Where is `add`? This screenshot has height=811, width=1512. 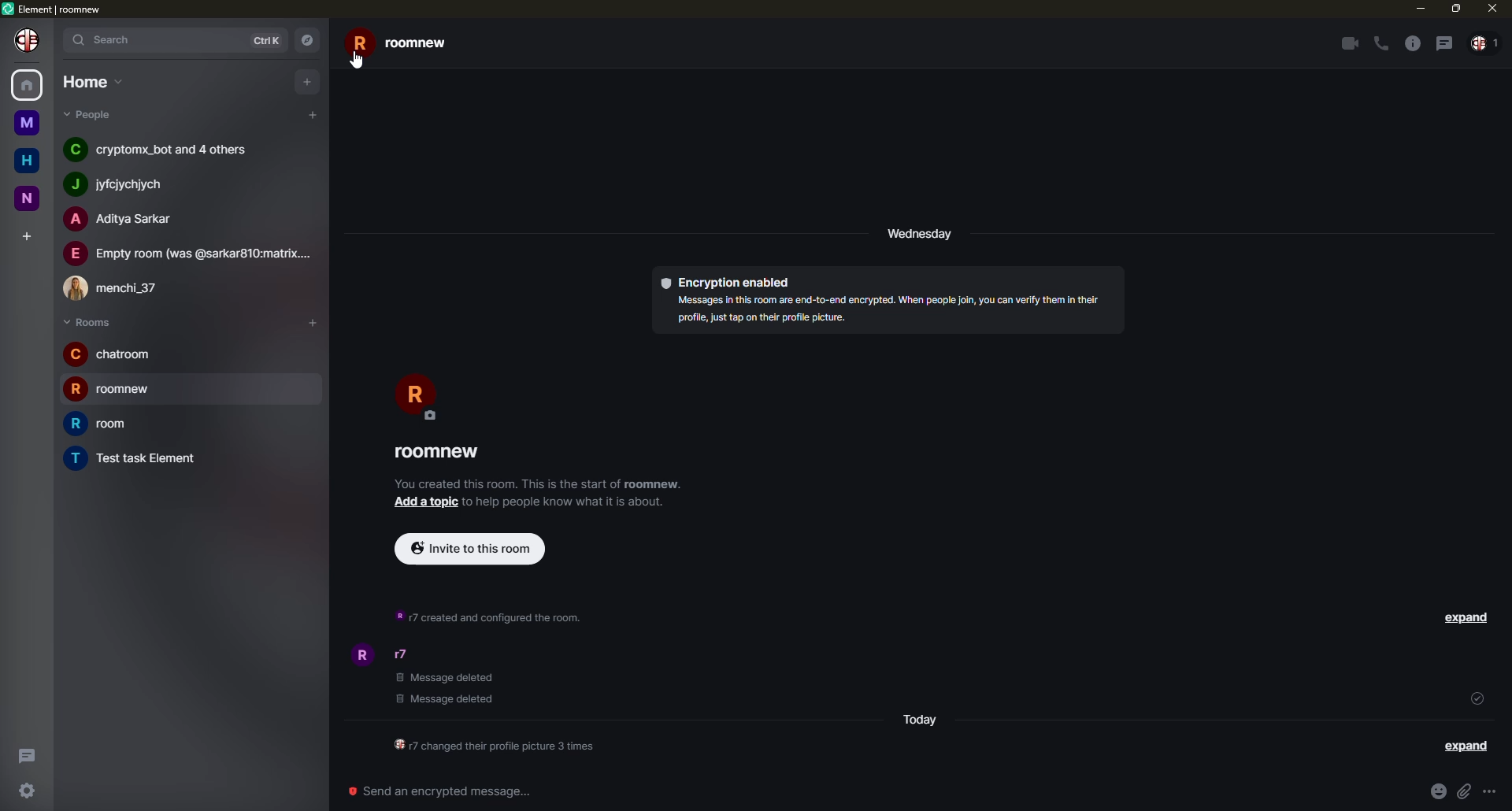 add is located at coordinates (310, 323).